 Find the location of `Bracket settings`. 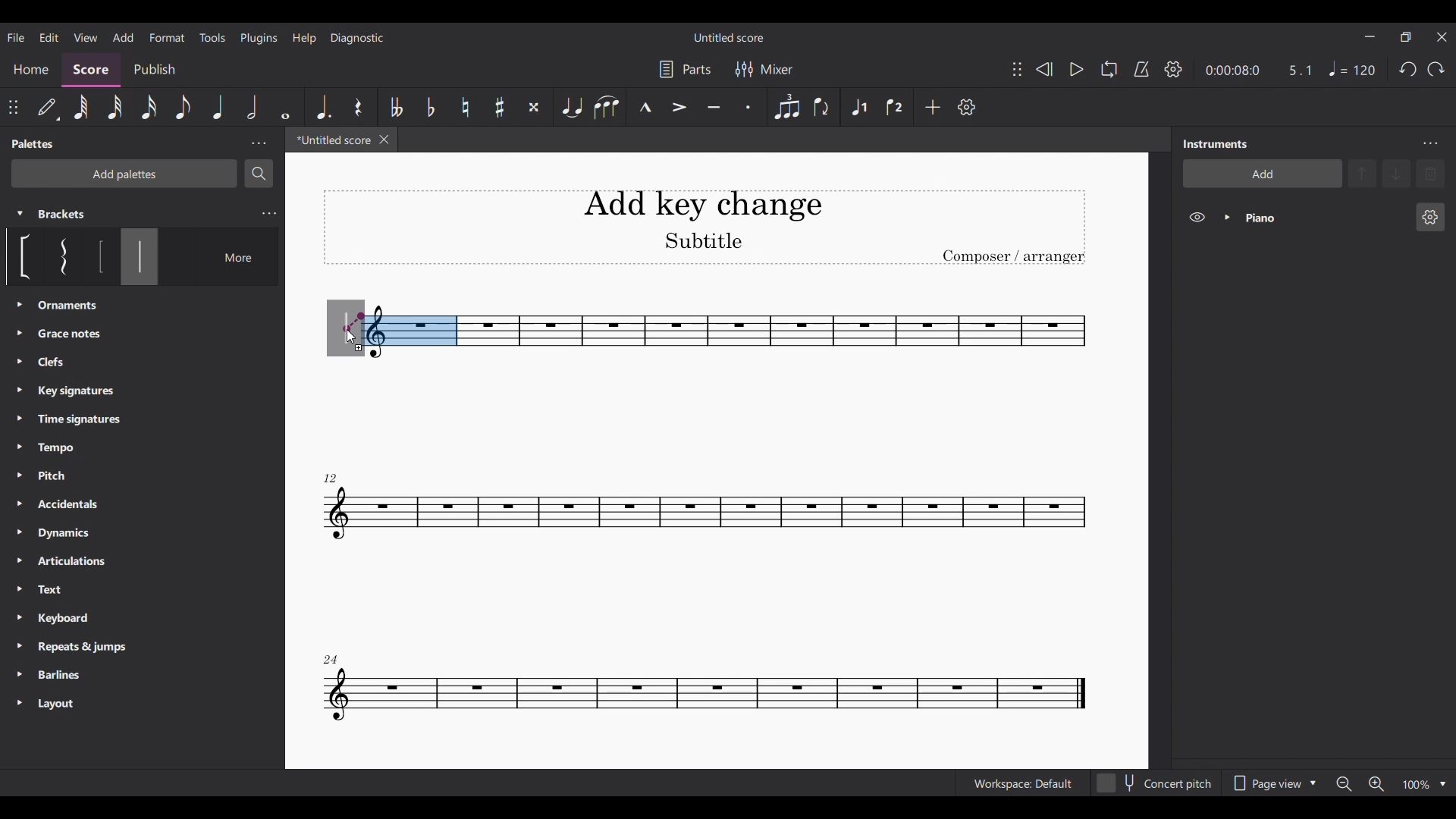

Bracket settings is located at coordinates (269, 214).